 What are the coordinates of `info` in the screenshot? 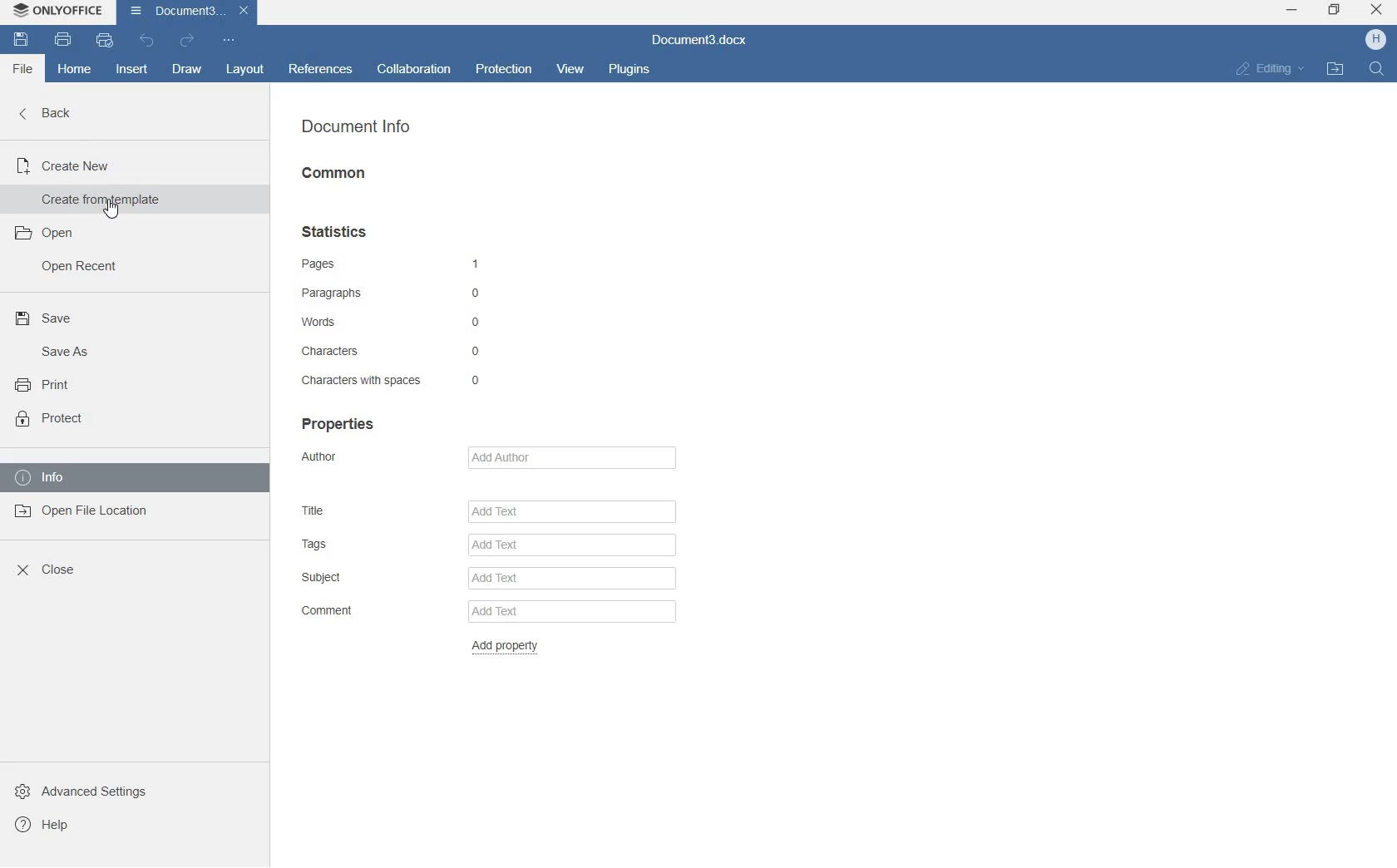 It's located at (111, 480).